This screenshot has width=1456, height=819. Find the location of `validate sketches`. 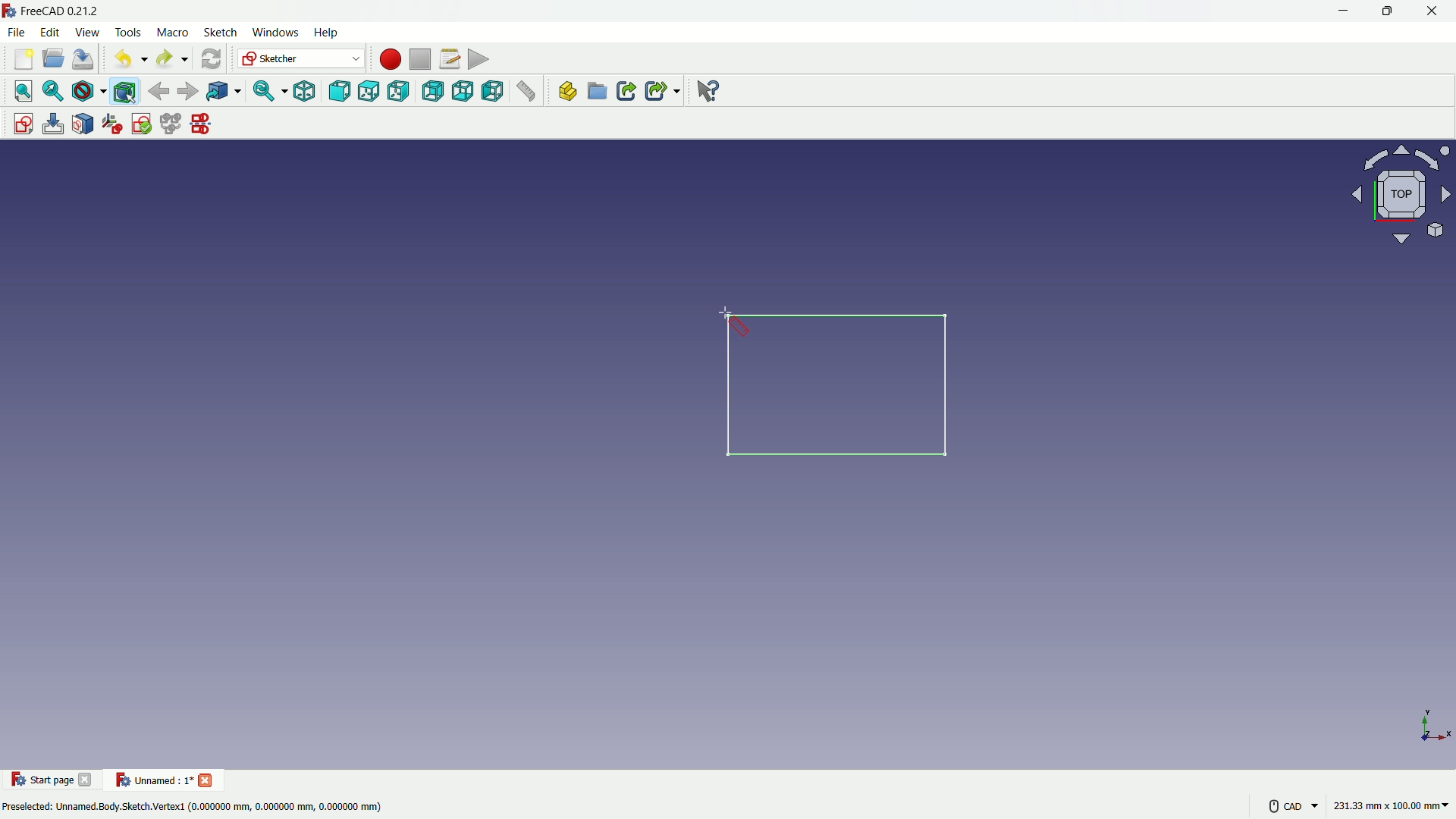

validate sketches is located at coordinates (143, 124).